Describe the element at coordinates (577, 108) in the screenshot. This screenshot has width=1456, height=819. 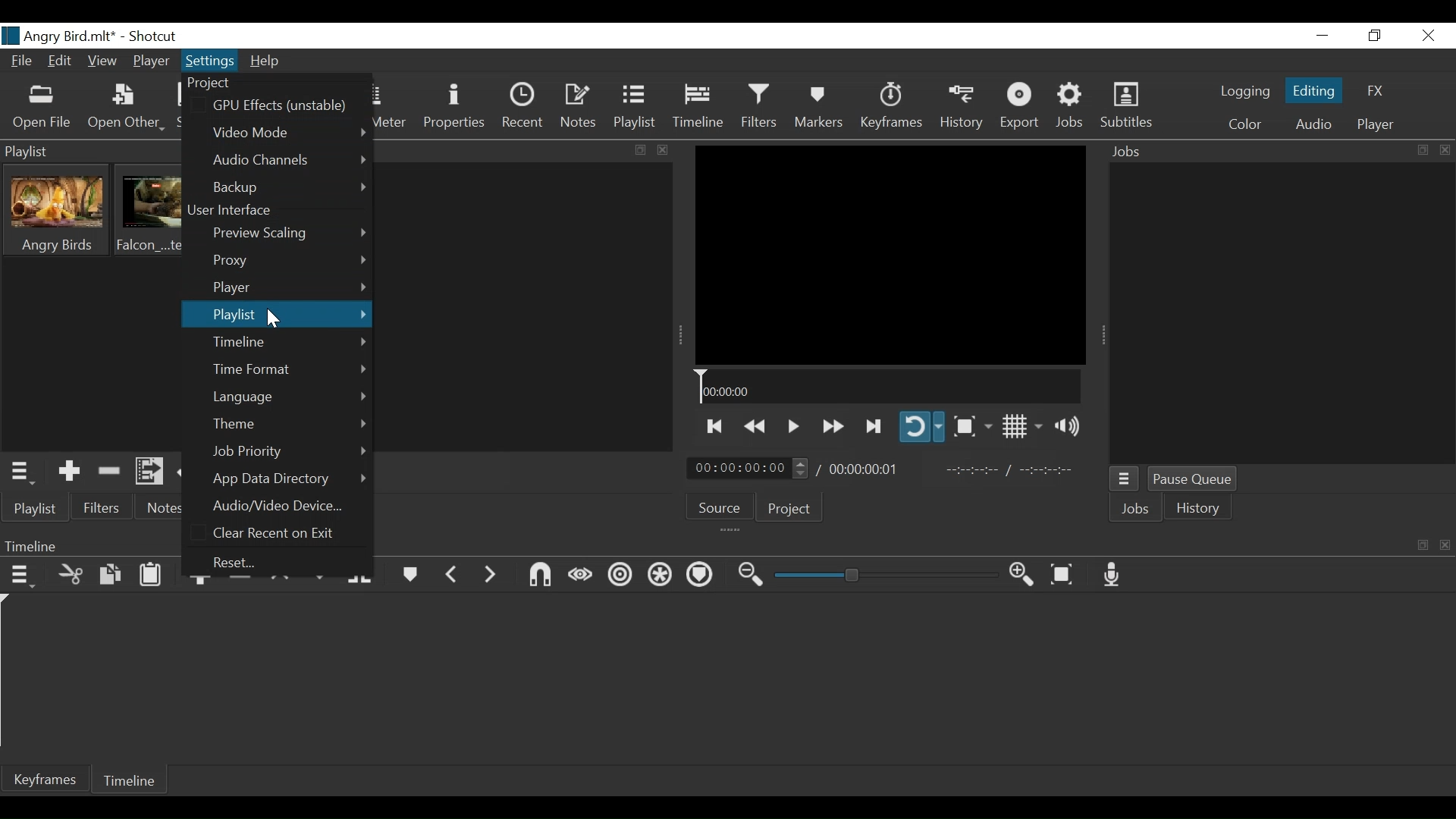
I see `Notes` at that location.